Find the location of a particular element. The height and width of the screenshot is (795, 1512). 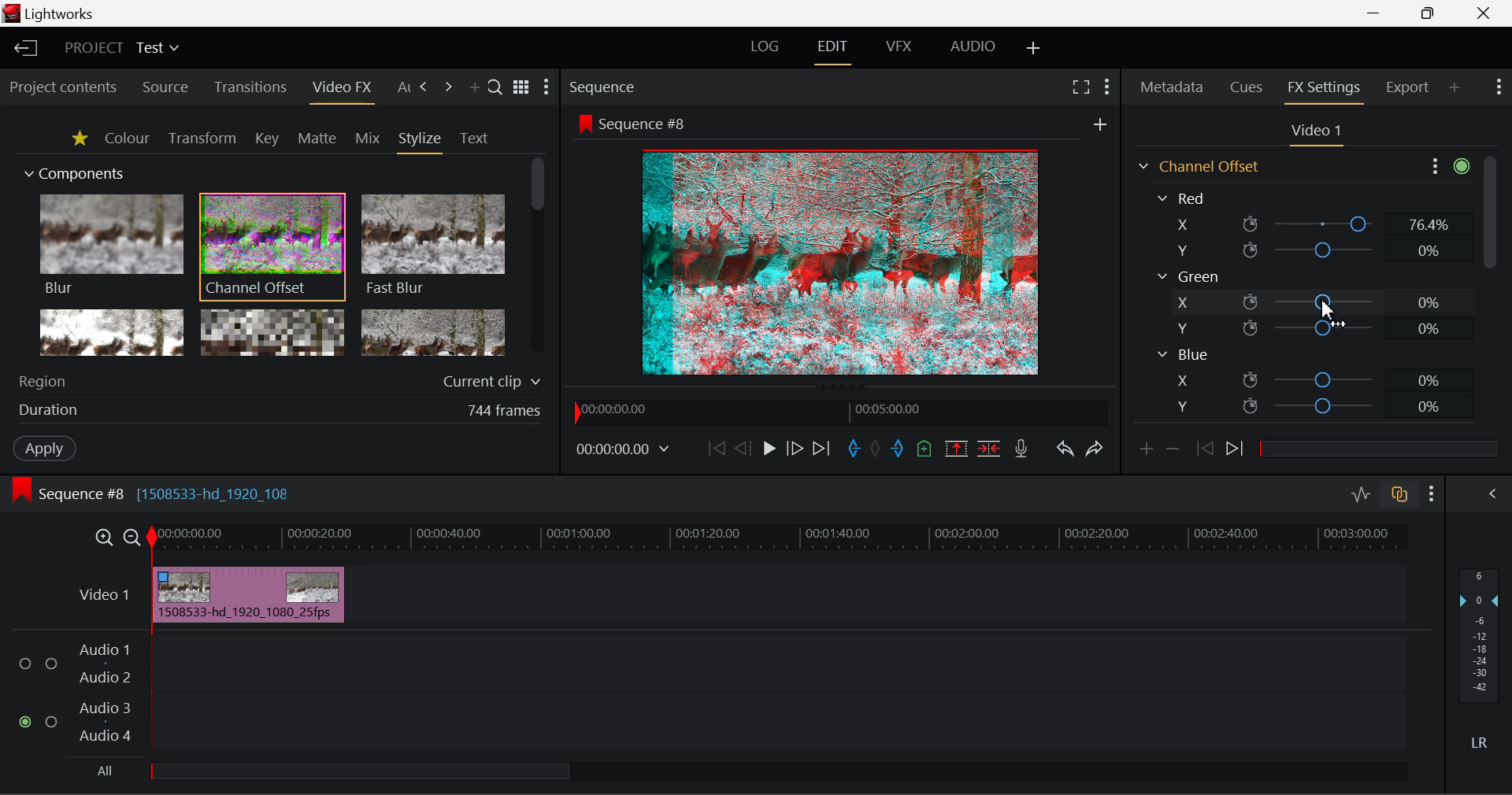

MOUSE_DOWN Cursor Position is located at coordinates (1322, 303).